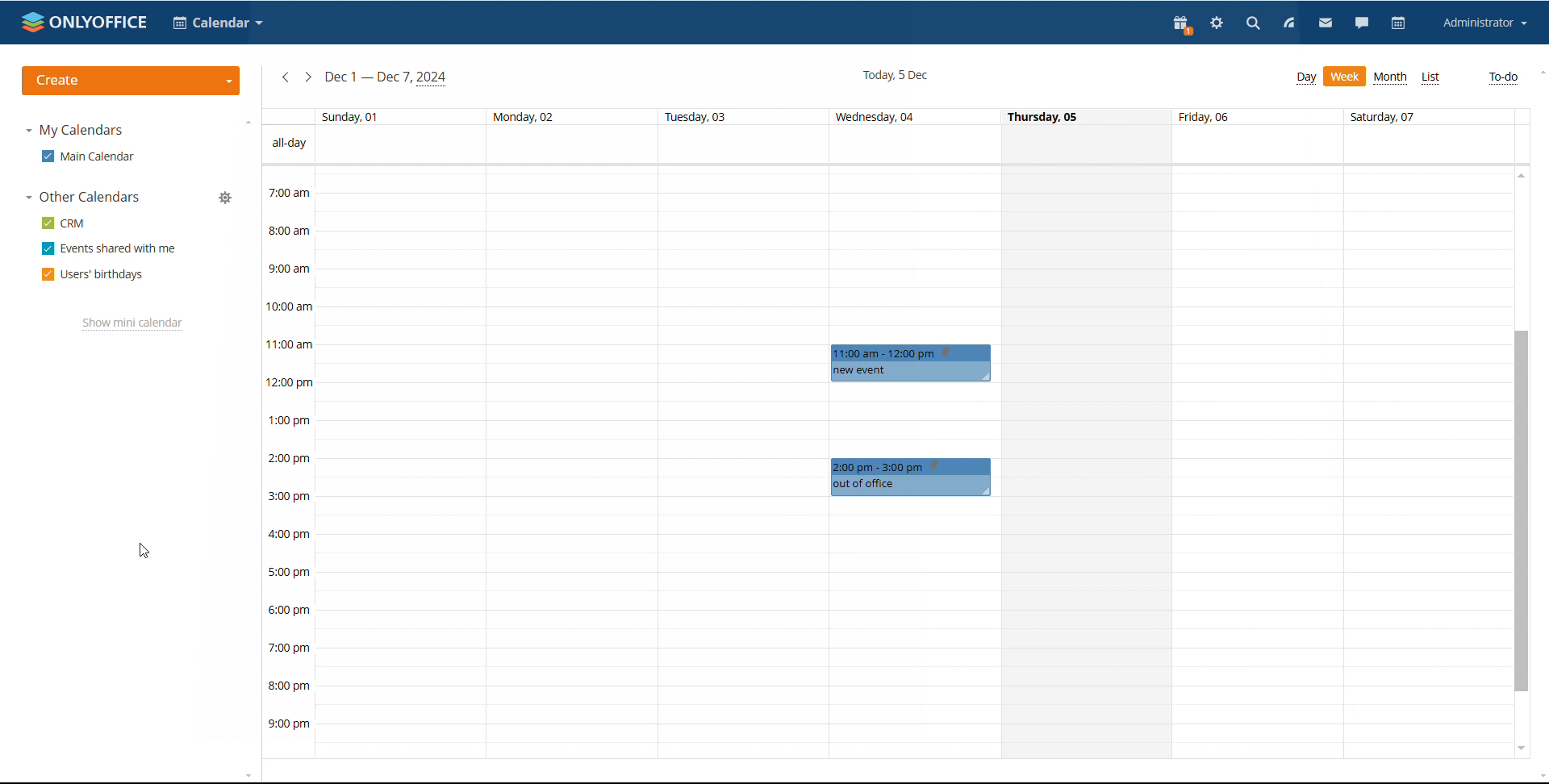 The height and width of the screenshot is (784, 1549). Describe the element at coordinates (90, 156) in the screenshot. I see `main calendar` at that location.